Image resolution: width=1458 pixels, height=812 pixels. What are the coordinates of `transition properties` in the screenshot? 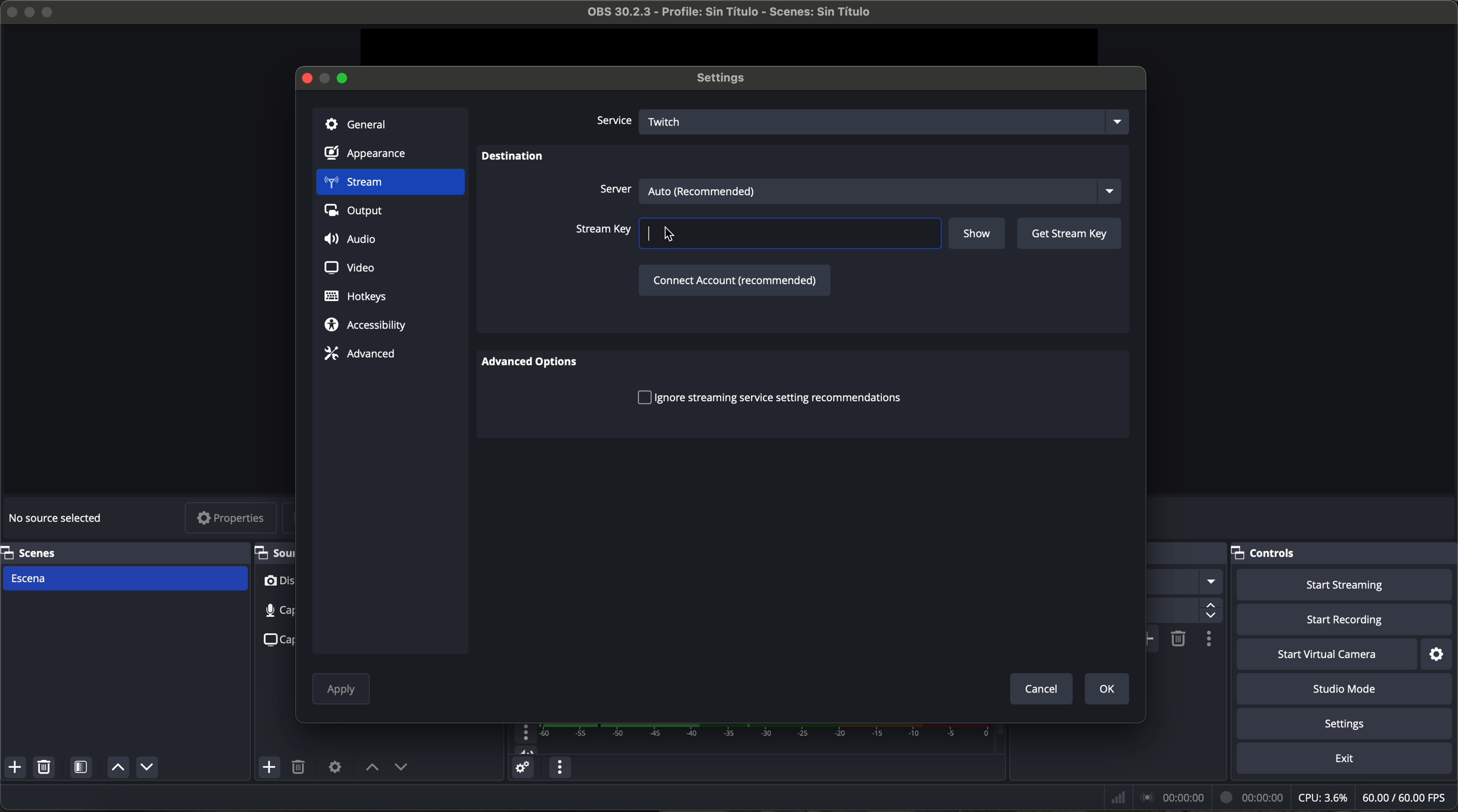 It's located at (1208, 641).